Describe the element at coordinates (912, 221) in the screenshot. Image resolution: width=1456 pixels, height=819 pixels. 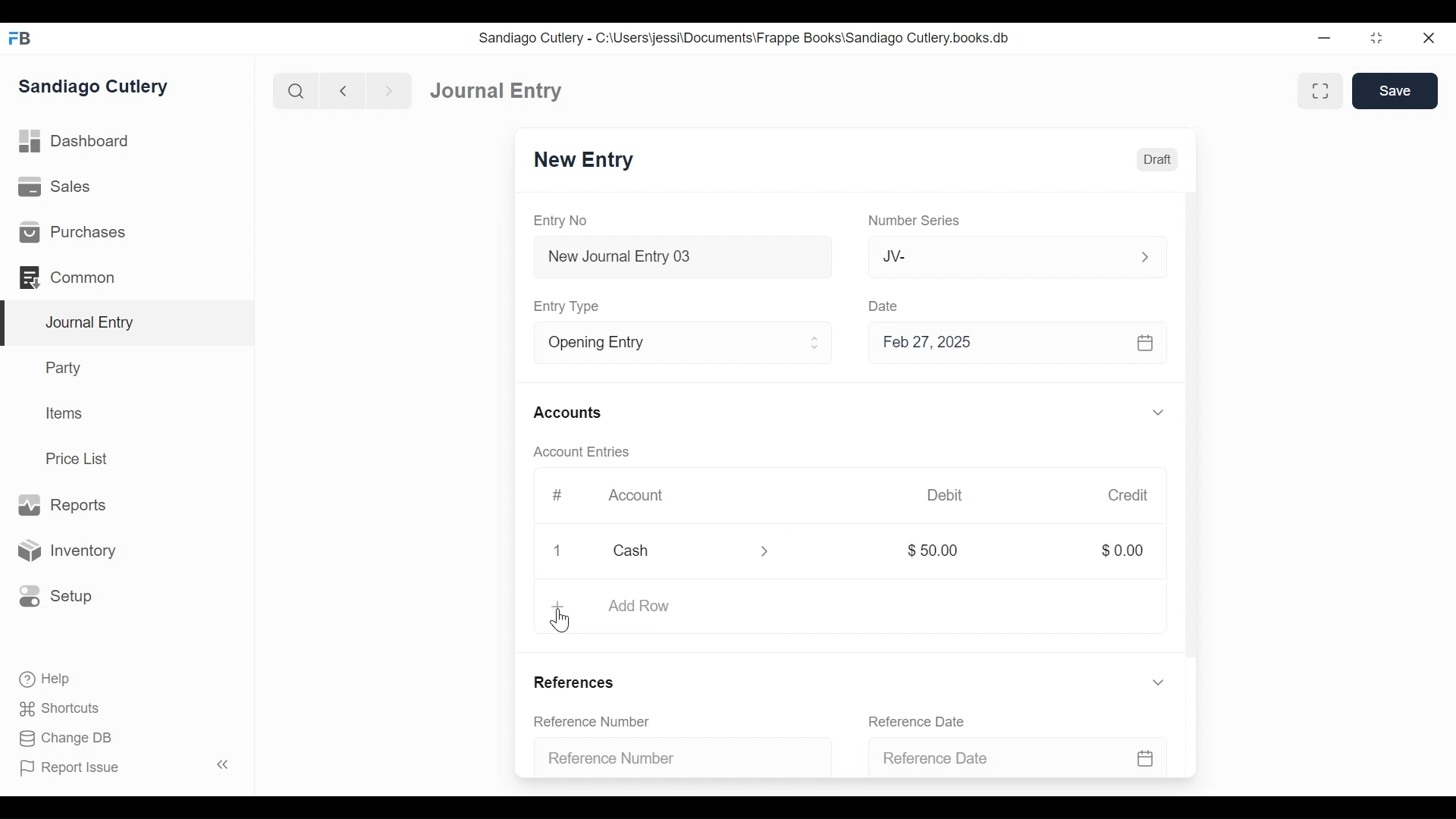
I see `Number Series` at that location.